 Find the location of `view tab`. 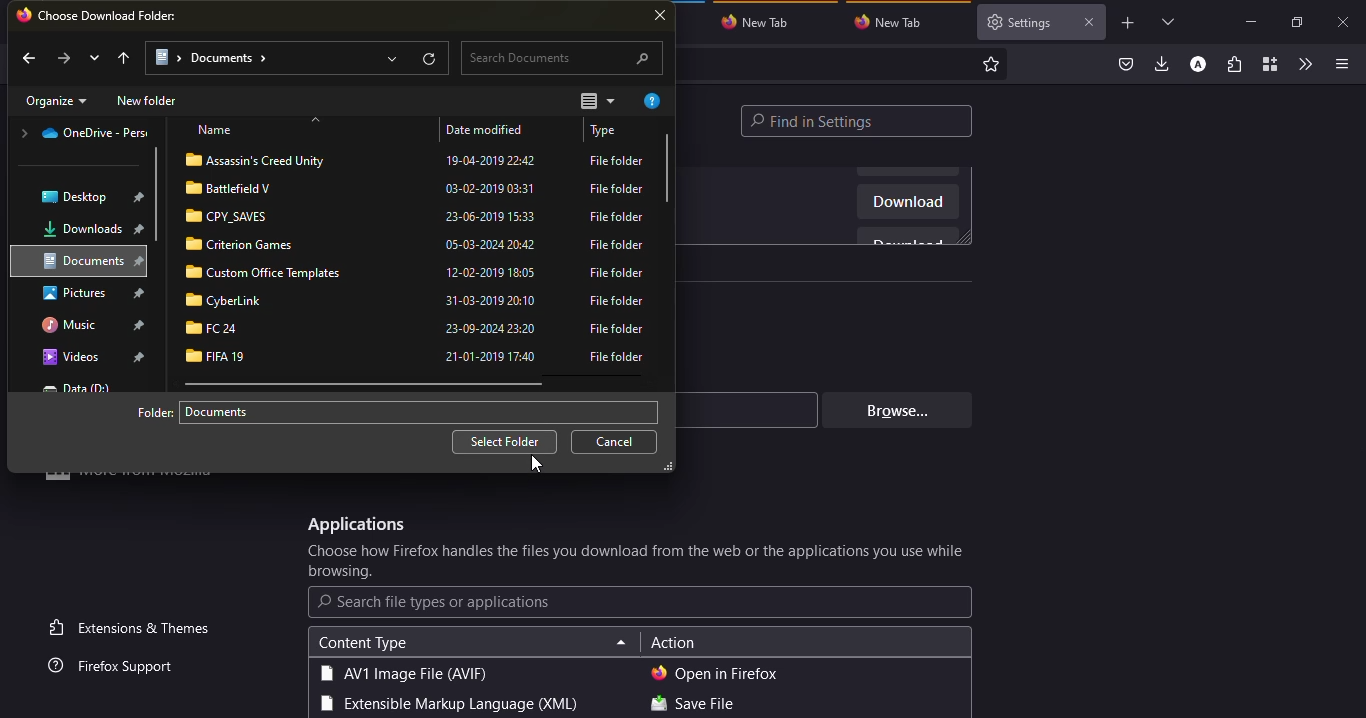

view tab is located at coordinates (1169, 21).